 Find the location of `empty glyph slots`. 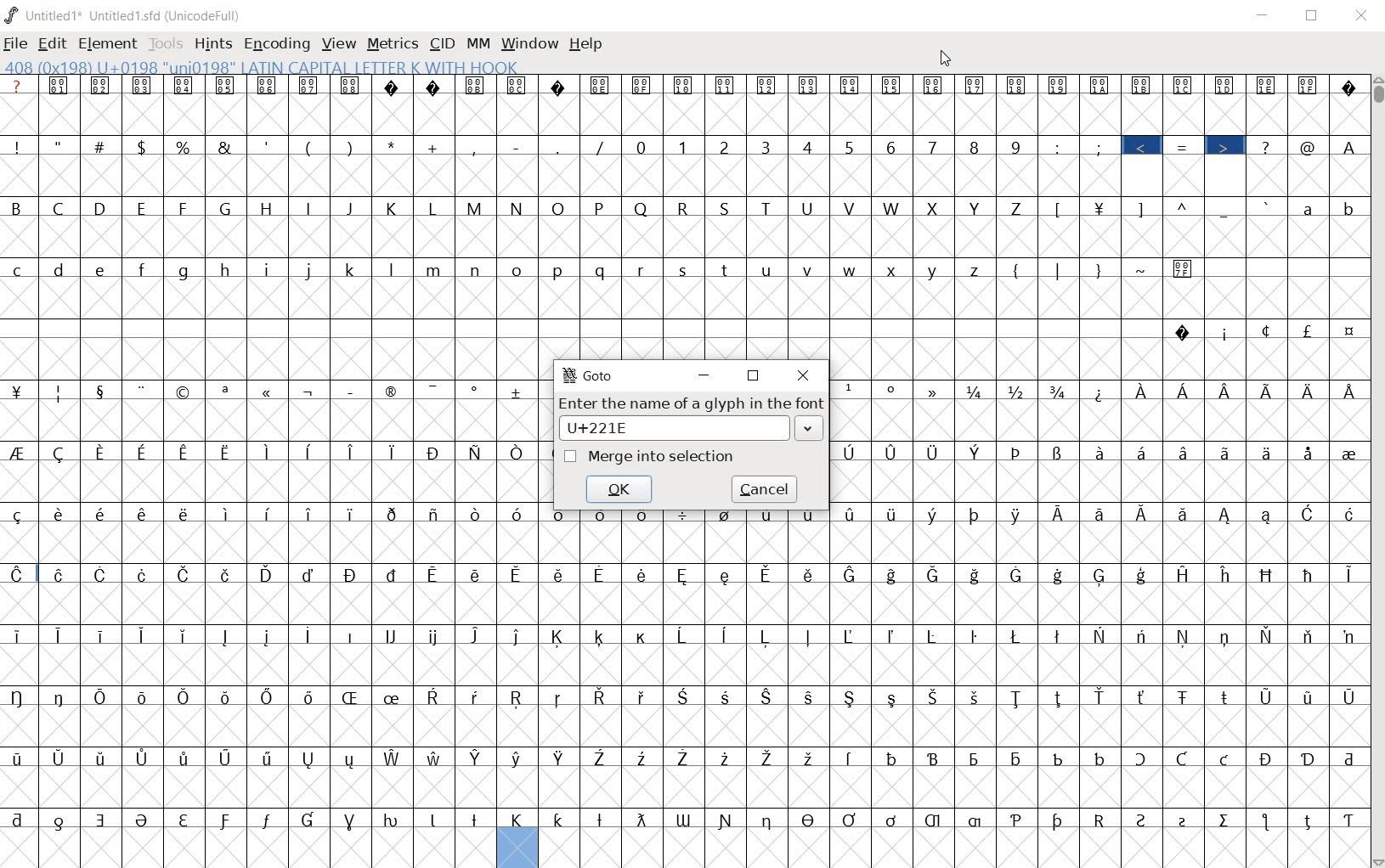

empty glyph slots is located at coordinates (270, 421).